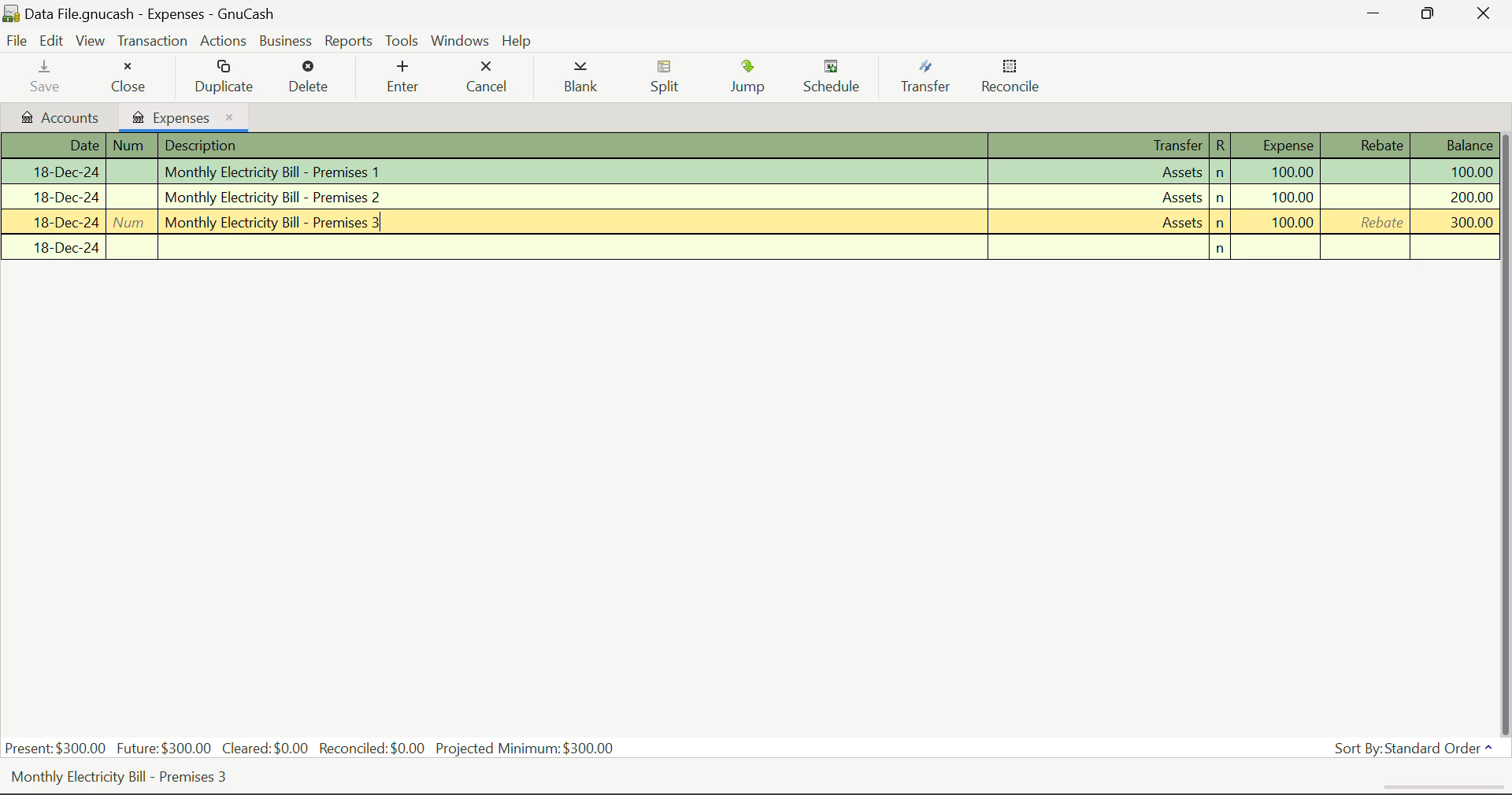  I want to click on Blank, so click(586, 79).